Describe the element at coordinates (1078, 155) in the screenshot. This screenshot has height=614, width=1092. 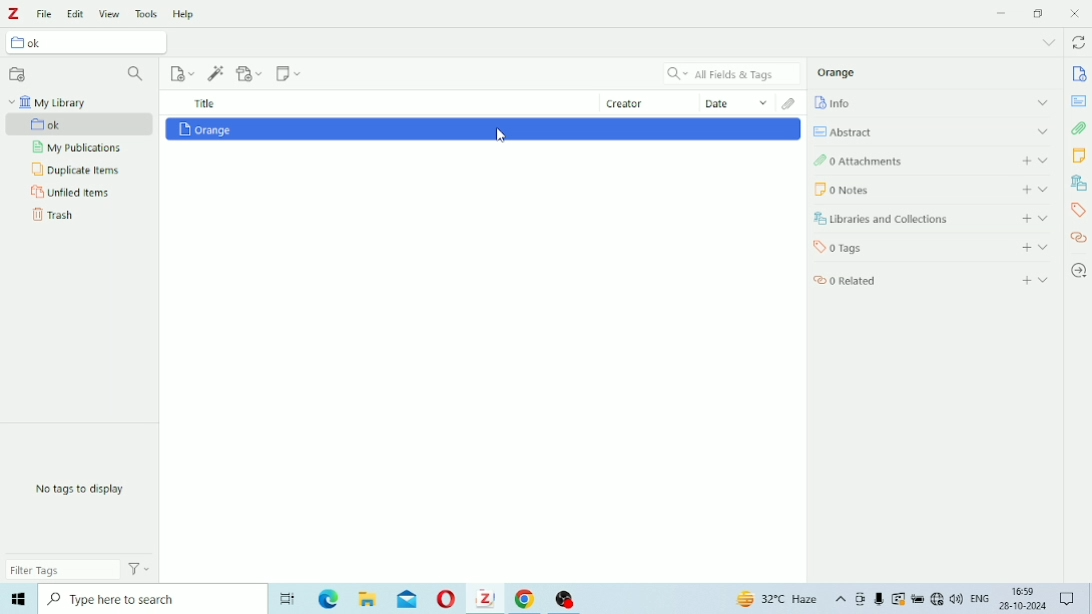
I see `Notes` at that location.